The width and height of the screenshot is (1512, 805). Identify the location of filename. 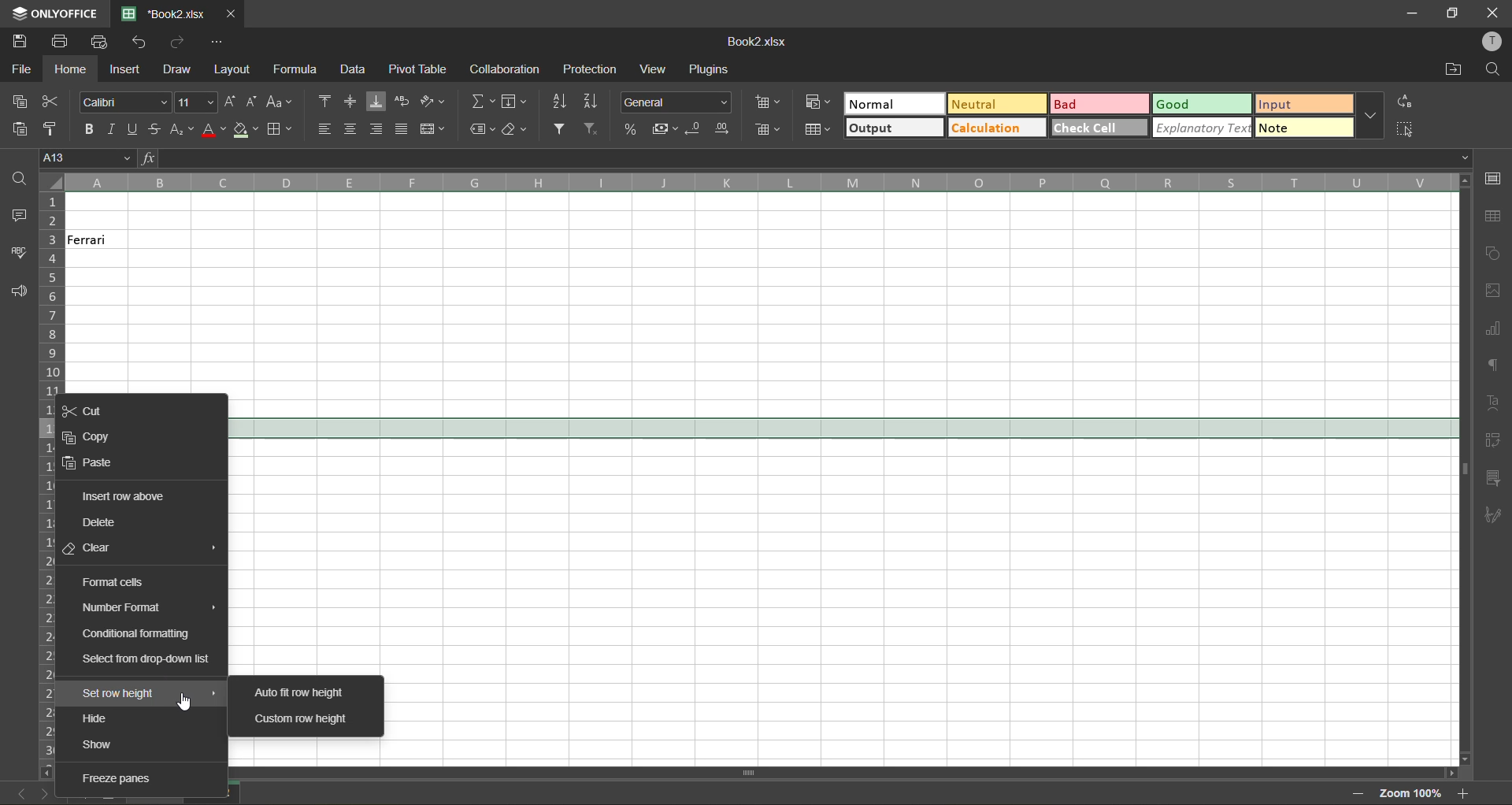
(761, 42).